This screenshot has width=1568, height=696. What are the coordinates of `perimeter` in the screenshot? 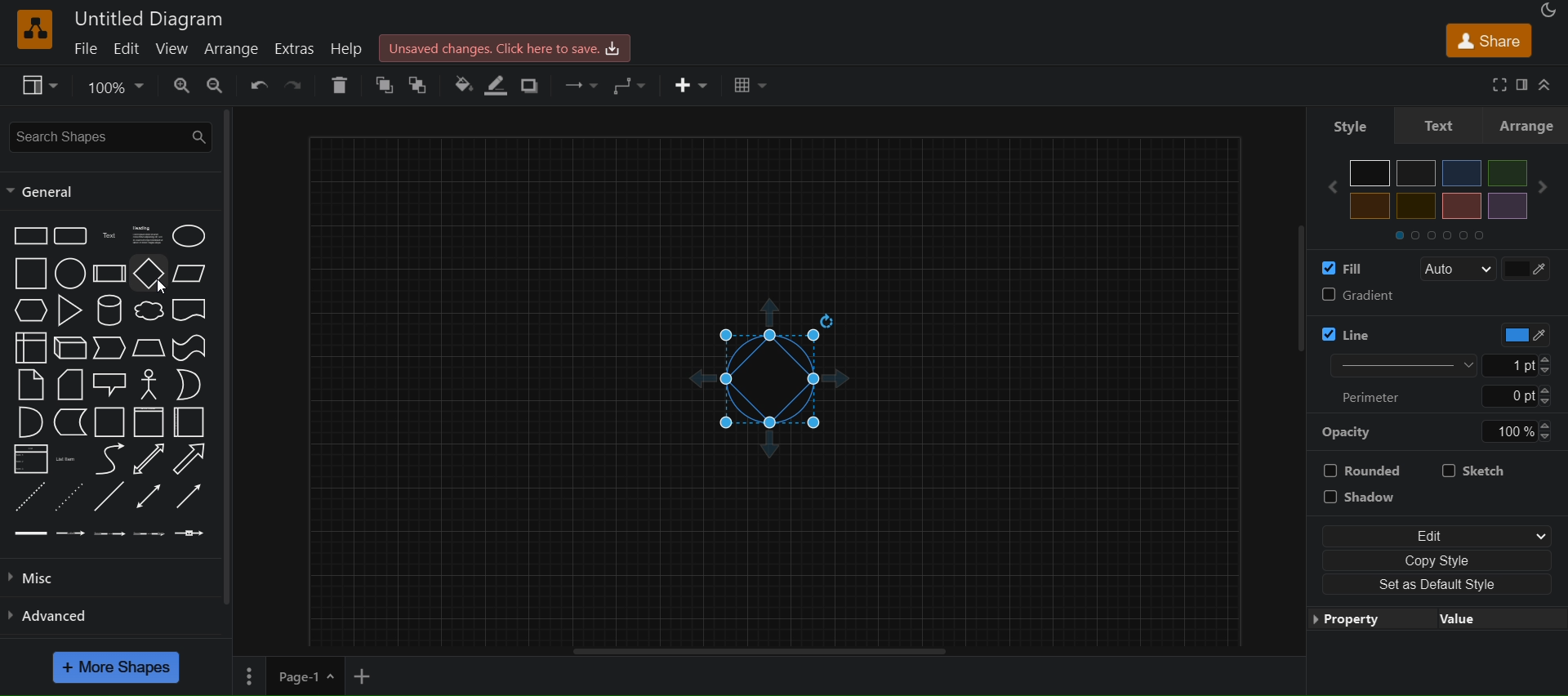 It's located at (1379, 396).